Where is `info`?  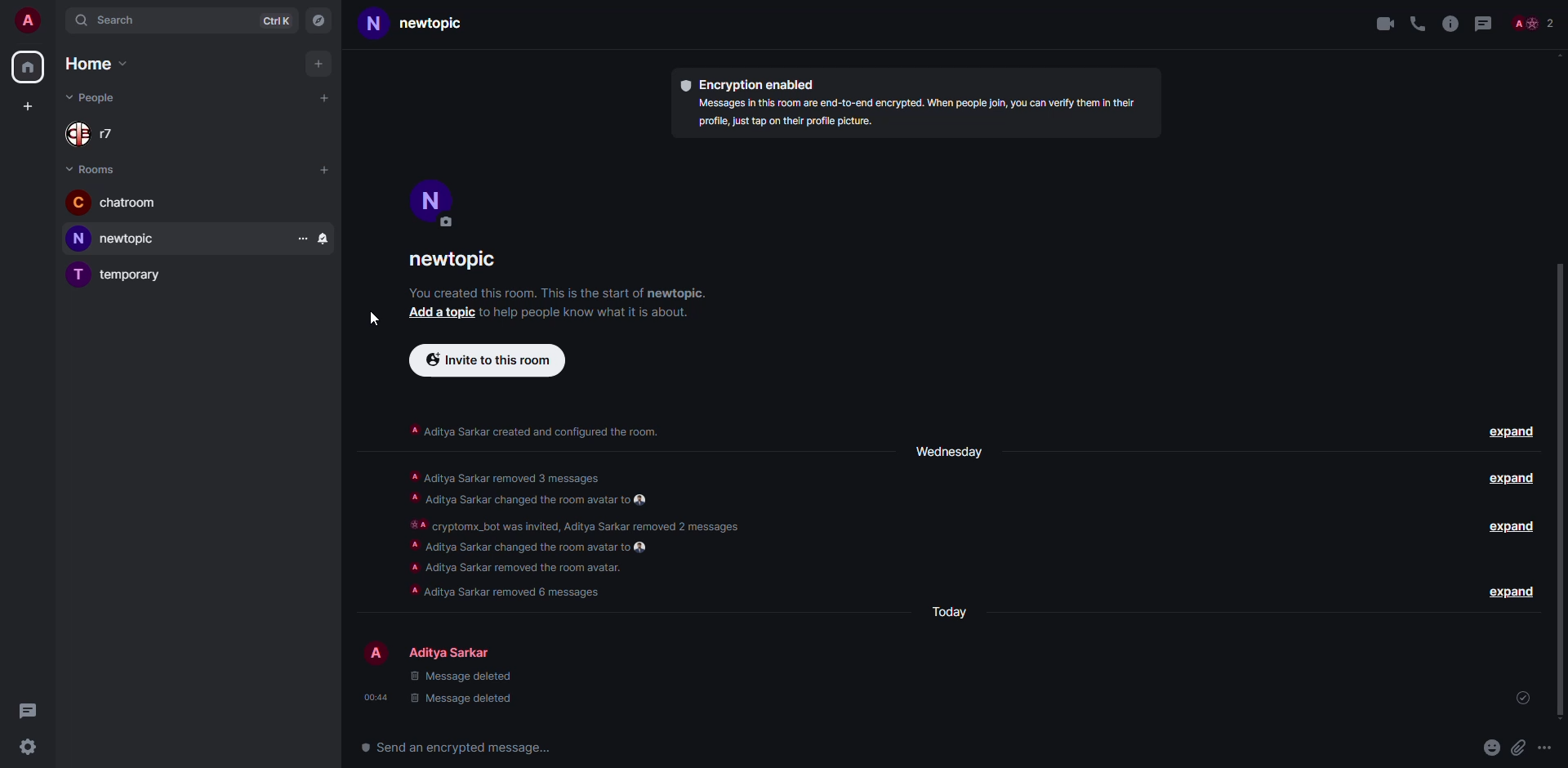
info is located at coordinates (590, 313).